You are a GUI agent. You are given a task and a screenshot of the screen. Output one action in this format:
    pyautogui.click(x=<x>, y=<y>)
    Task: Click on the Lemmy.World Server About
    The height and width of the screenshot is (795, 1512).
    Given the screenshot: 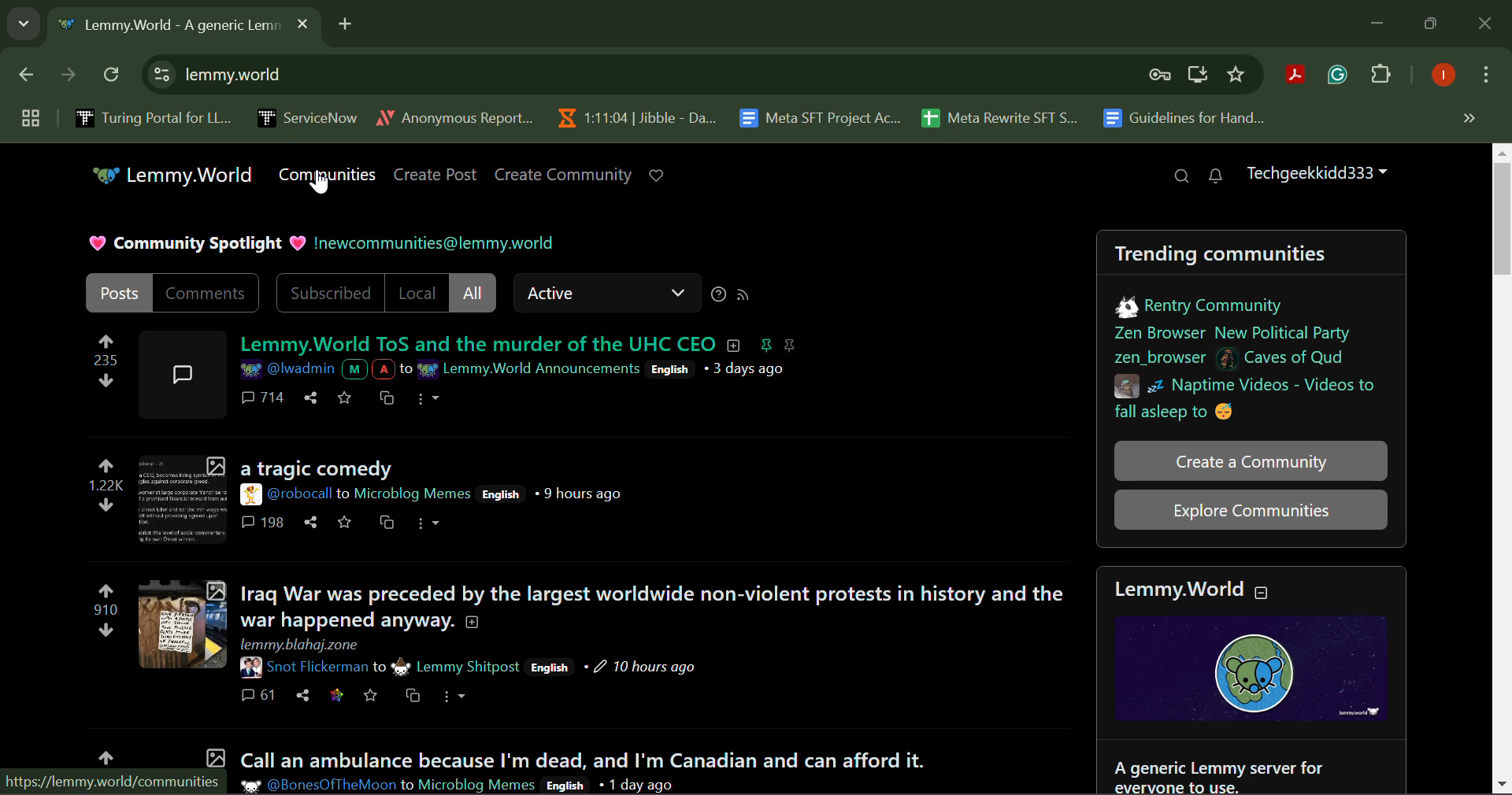 What is the action you would take?
    pyautogui.click(x=1258, y=681)
    